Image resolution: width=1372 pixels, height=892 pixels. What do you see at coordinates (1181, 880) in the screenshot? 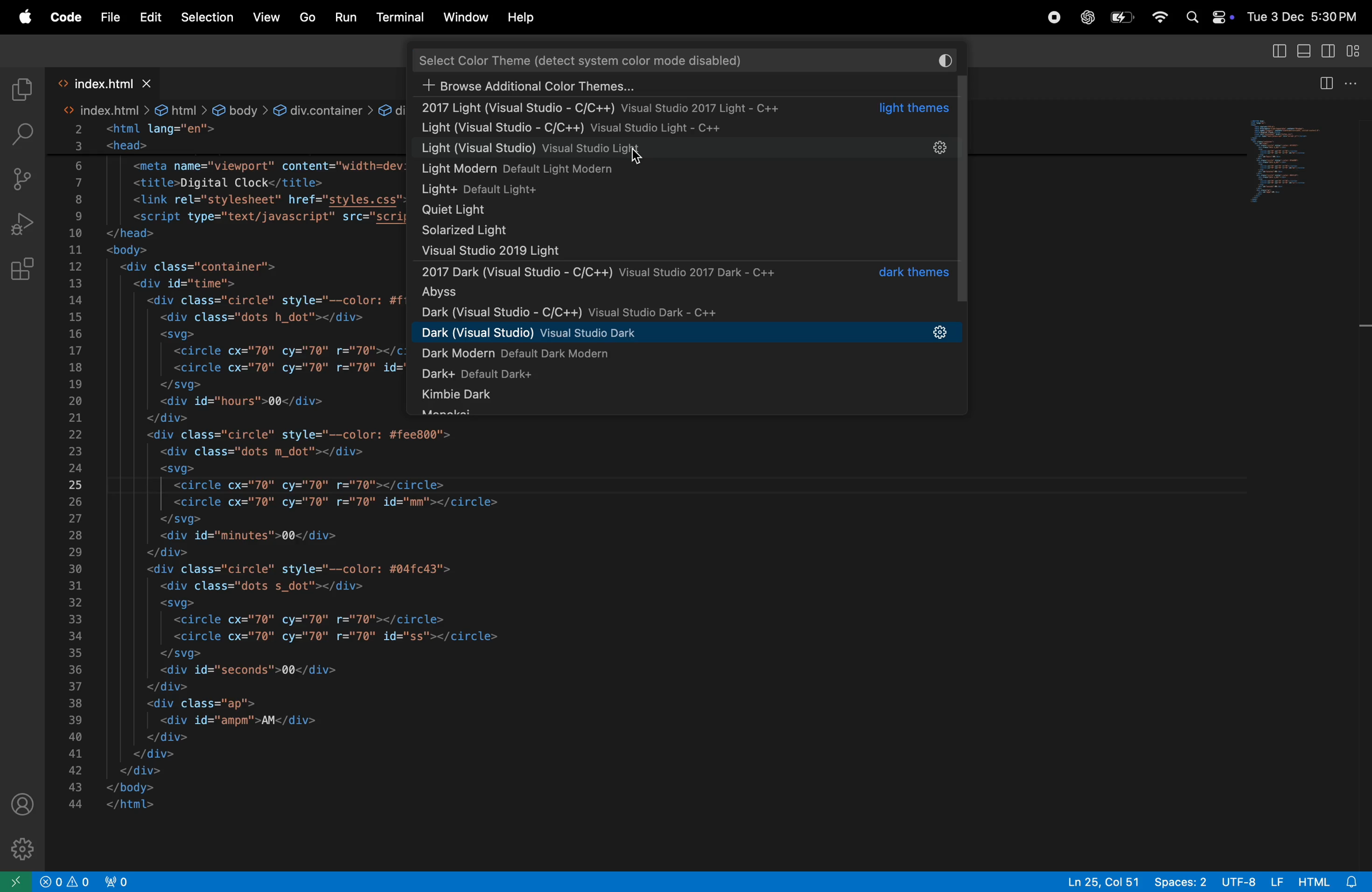
I see `space 2` at bounding box center [1181, 880].